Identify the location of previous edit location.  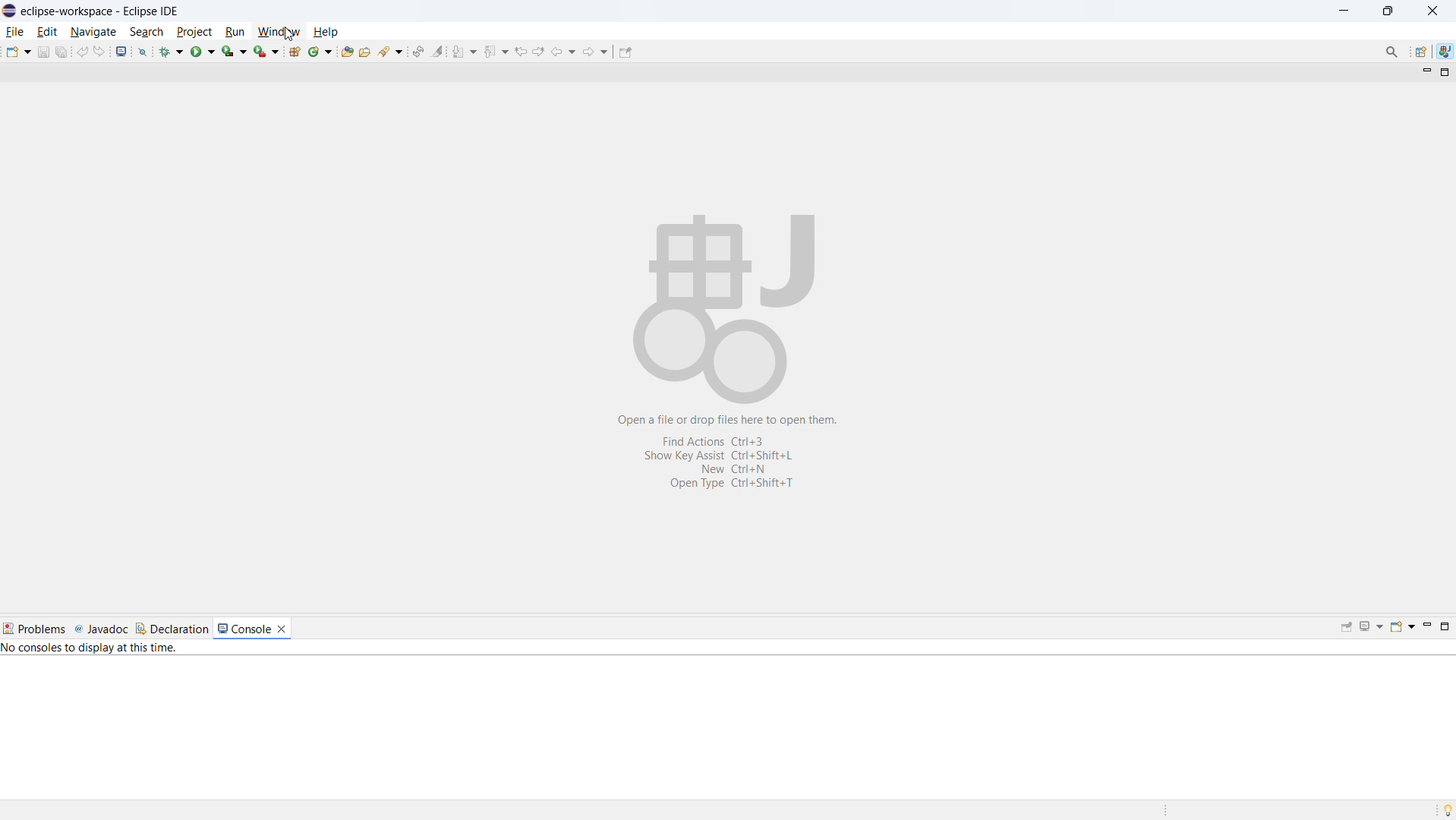
(519, 52).